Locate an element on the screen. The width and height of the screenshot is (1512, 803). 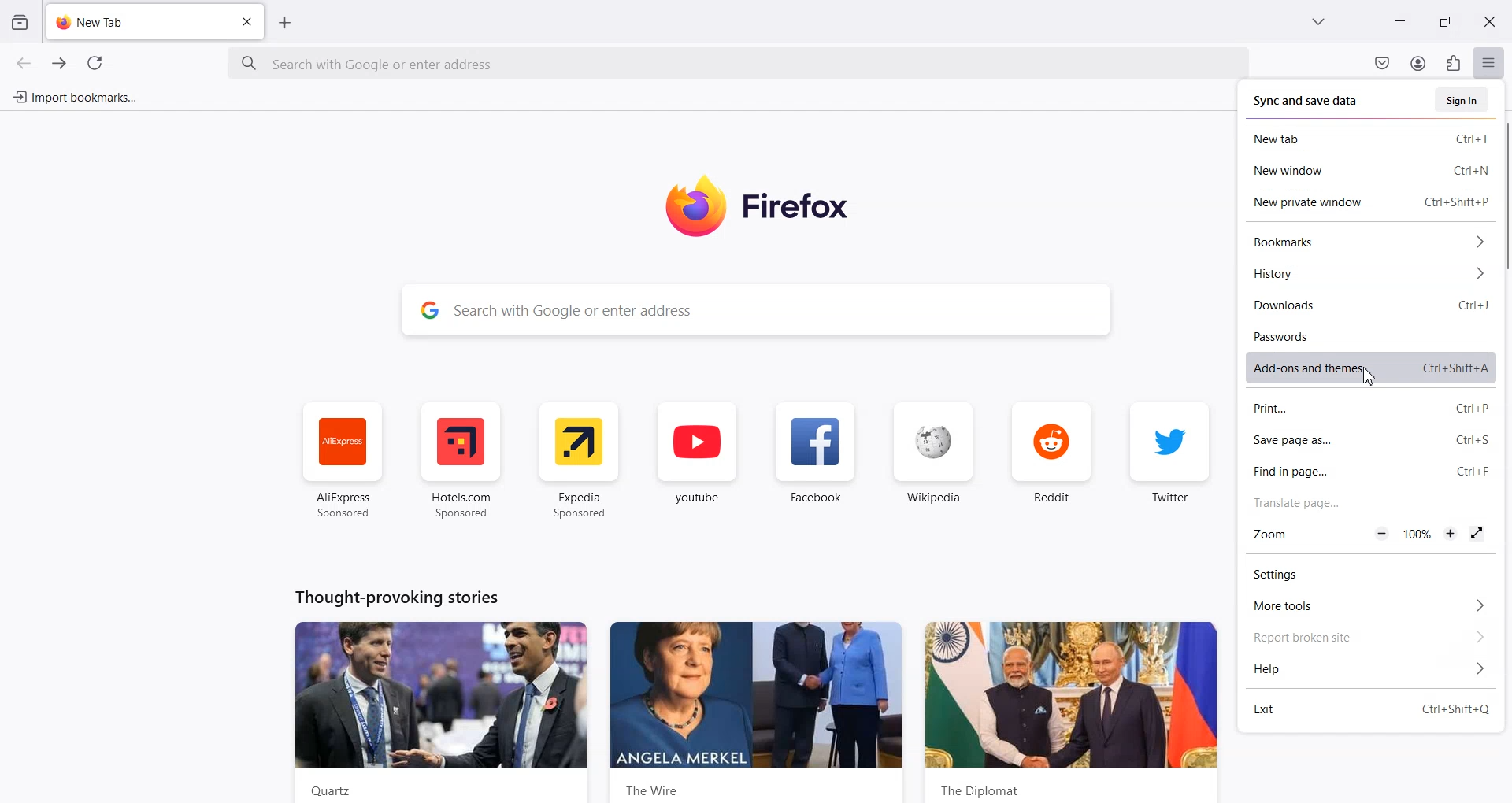
News is located at coordinates (431, 711).